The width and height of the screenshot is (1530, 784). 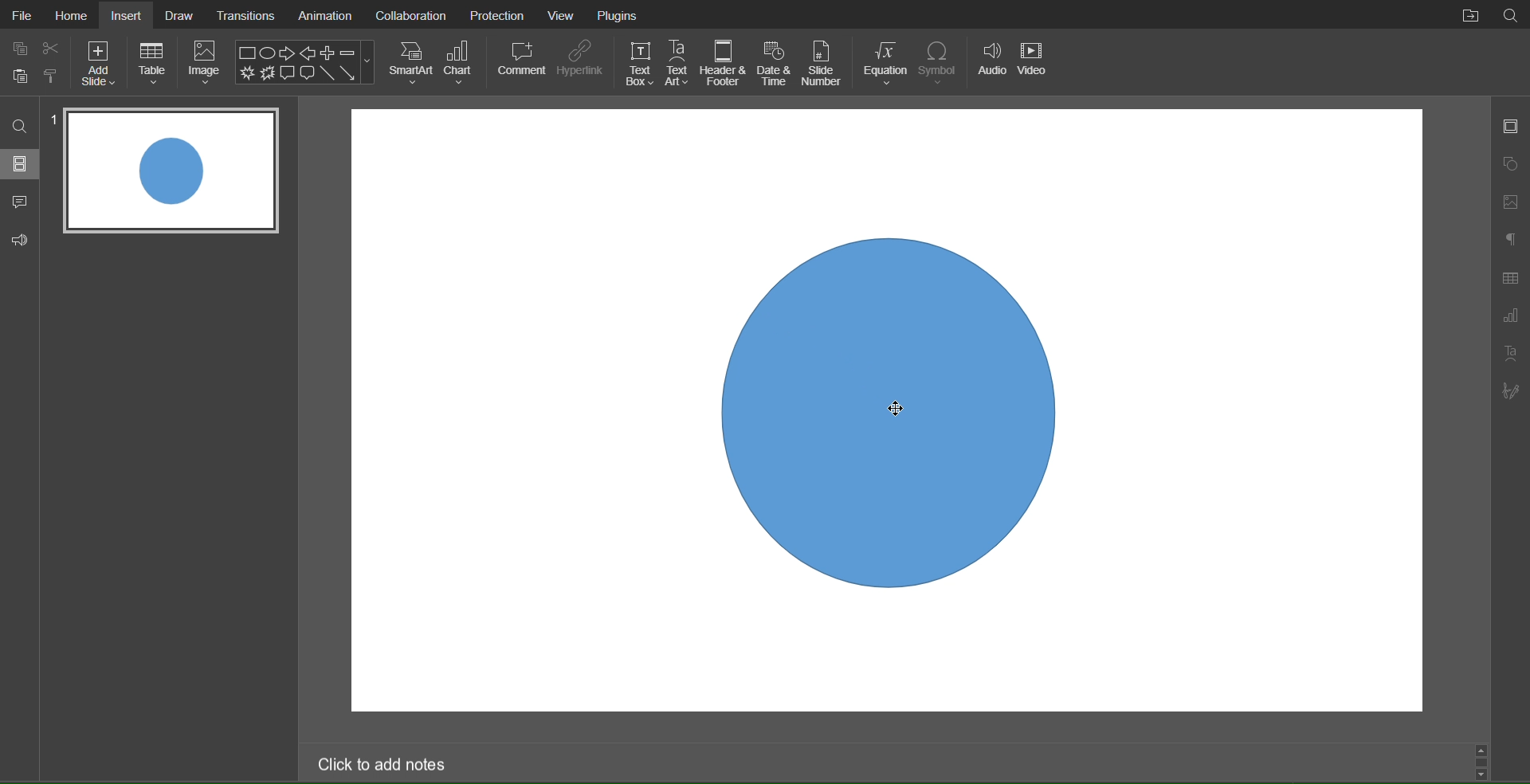 I want to click on Protection, so click(x=498, y=14).